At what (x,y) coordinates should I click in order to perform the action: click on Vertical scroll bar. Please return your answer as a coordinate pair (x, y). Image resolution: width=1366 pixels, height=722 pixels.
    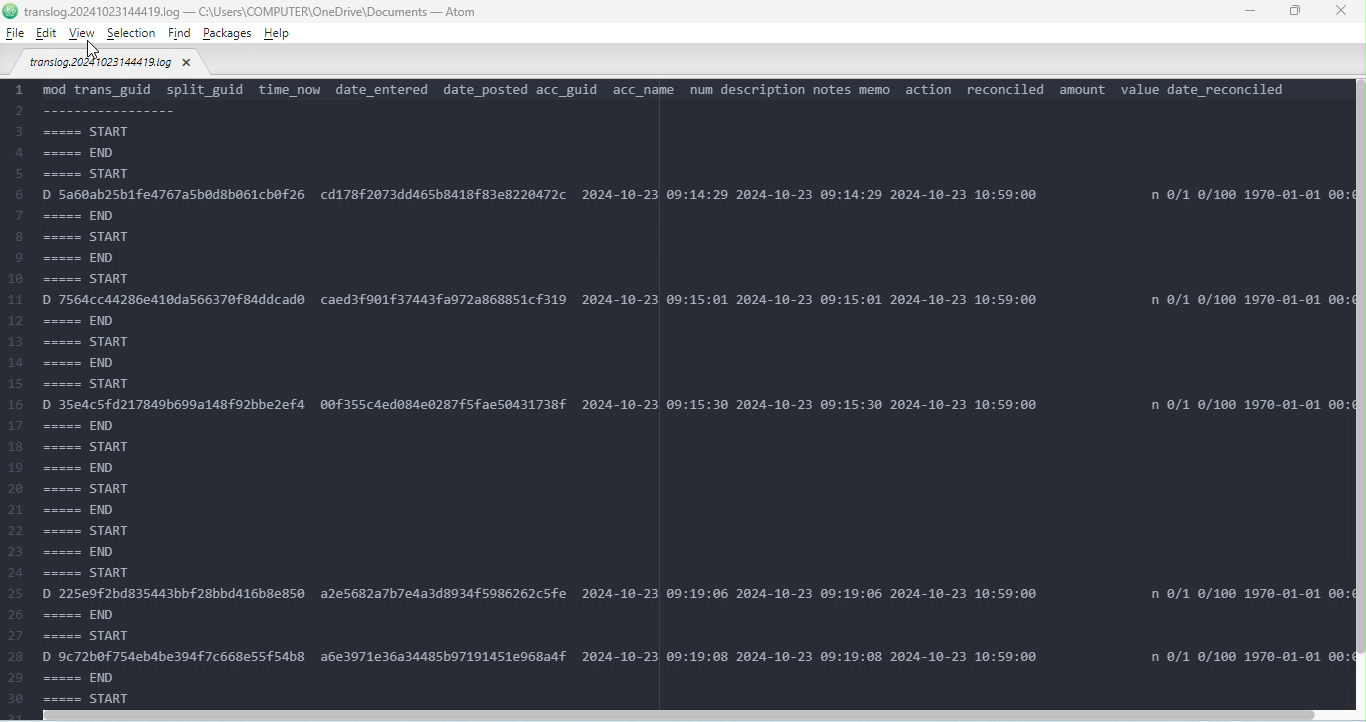
    Looking at the image, I should click on (1358, 396).